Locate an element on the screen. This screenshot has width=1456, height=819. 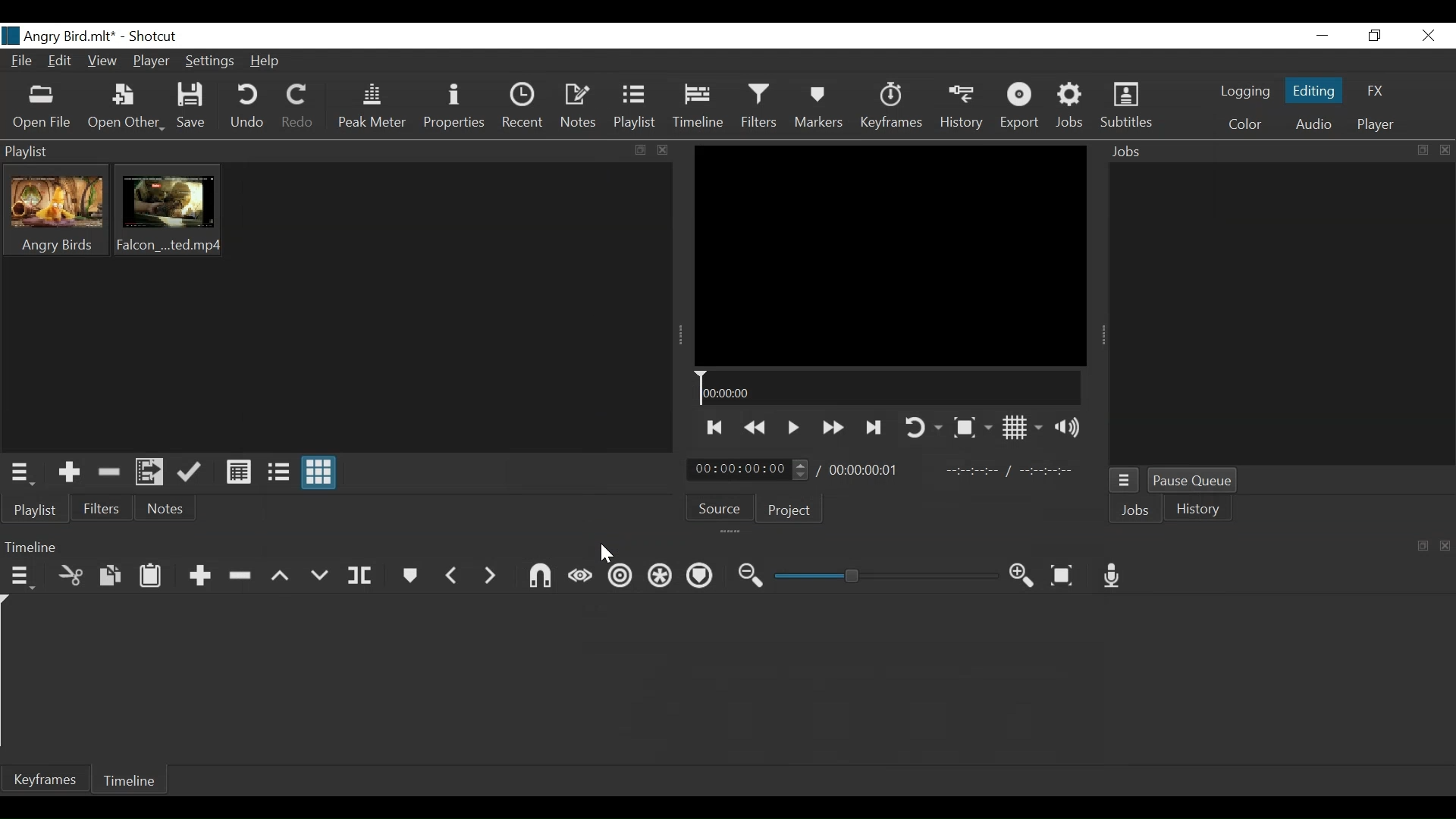
Ripple Delete is located at coordinates (243, 579).